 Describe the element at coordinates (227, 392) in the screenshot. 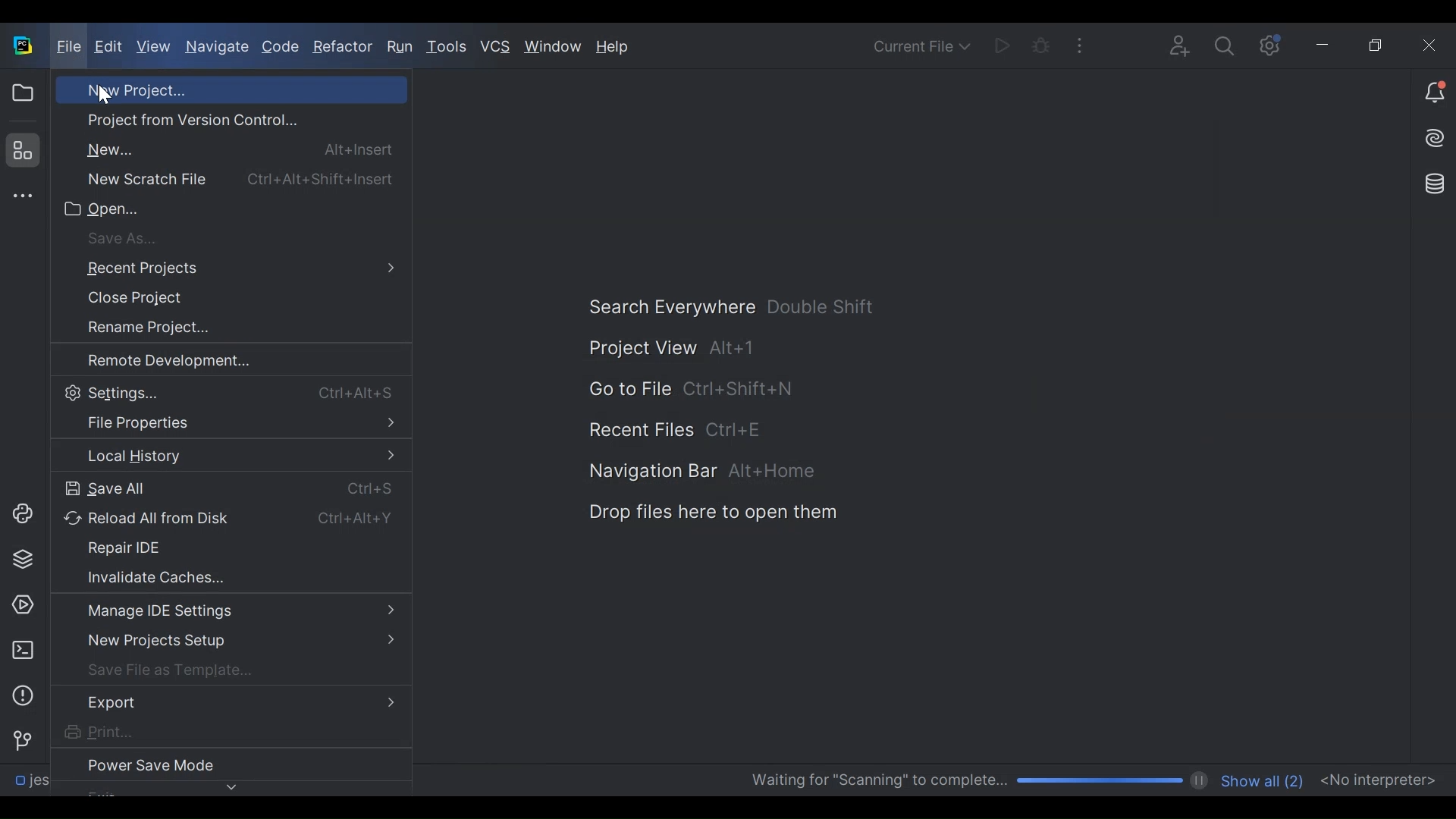

I see `Settings` at that location.